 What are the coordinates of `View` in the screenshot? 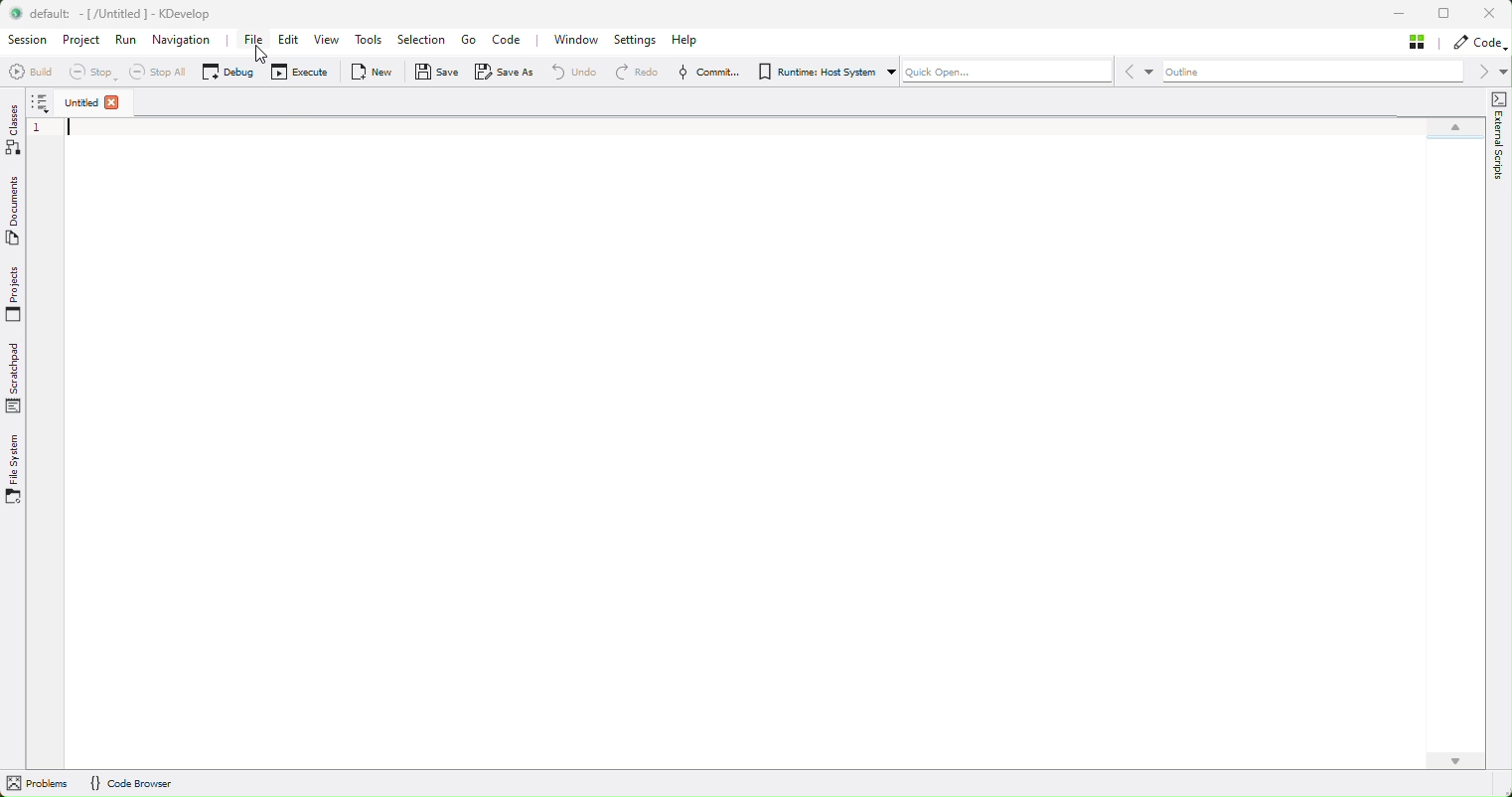 It's located at (330, 42).